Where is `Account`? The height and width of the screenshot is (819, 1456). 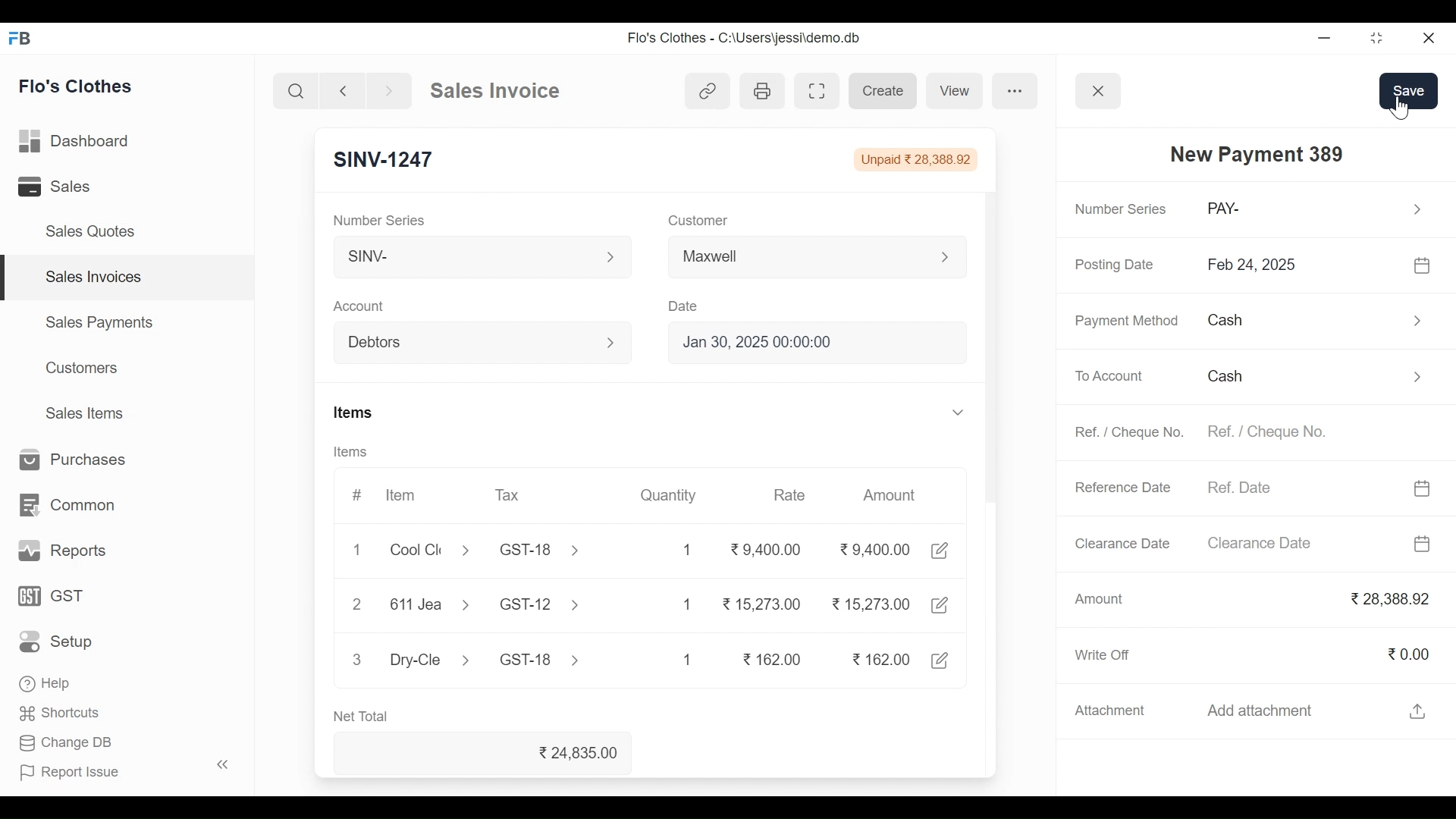 Account is located at coordinates (361, 304).